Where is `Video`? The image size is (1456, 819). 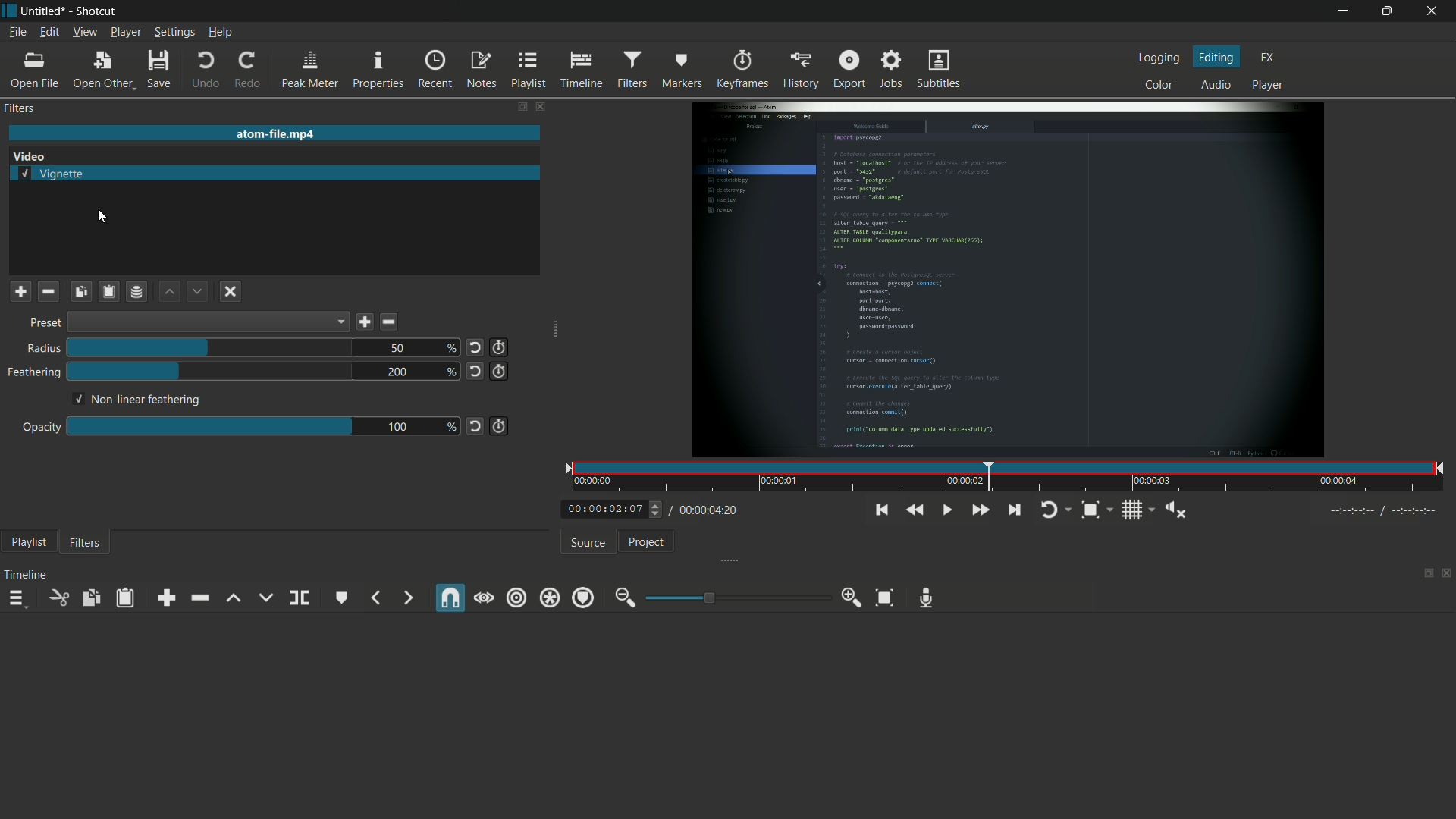 Video is located at coordinates (33, 155).